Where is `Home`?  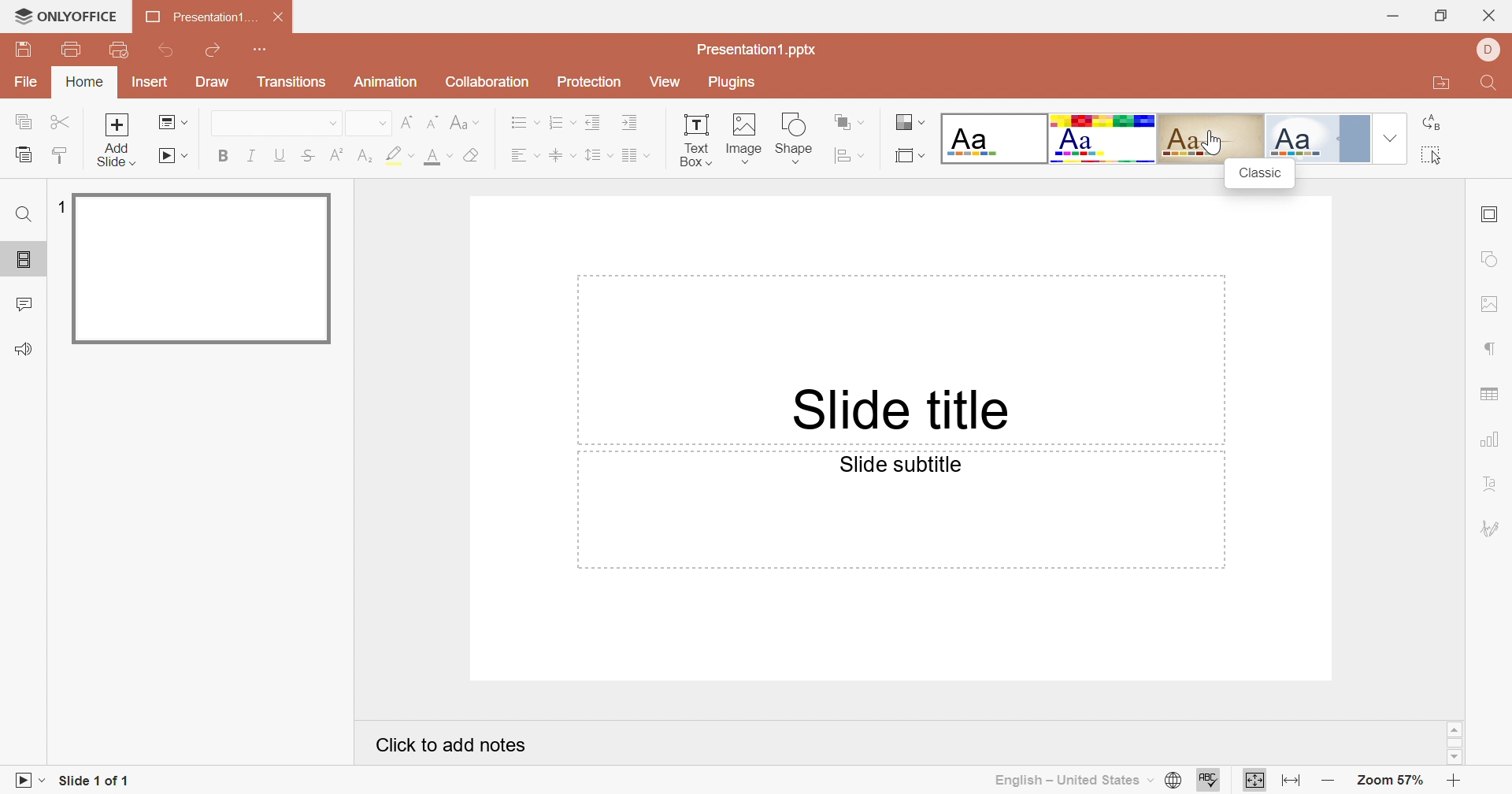 Home is located at coordinates (83, 80).